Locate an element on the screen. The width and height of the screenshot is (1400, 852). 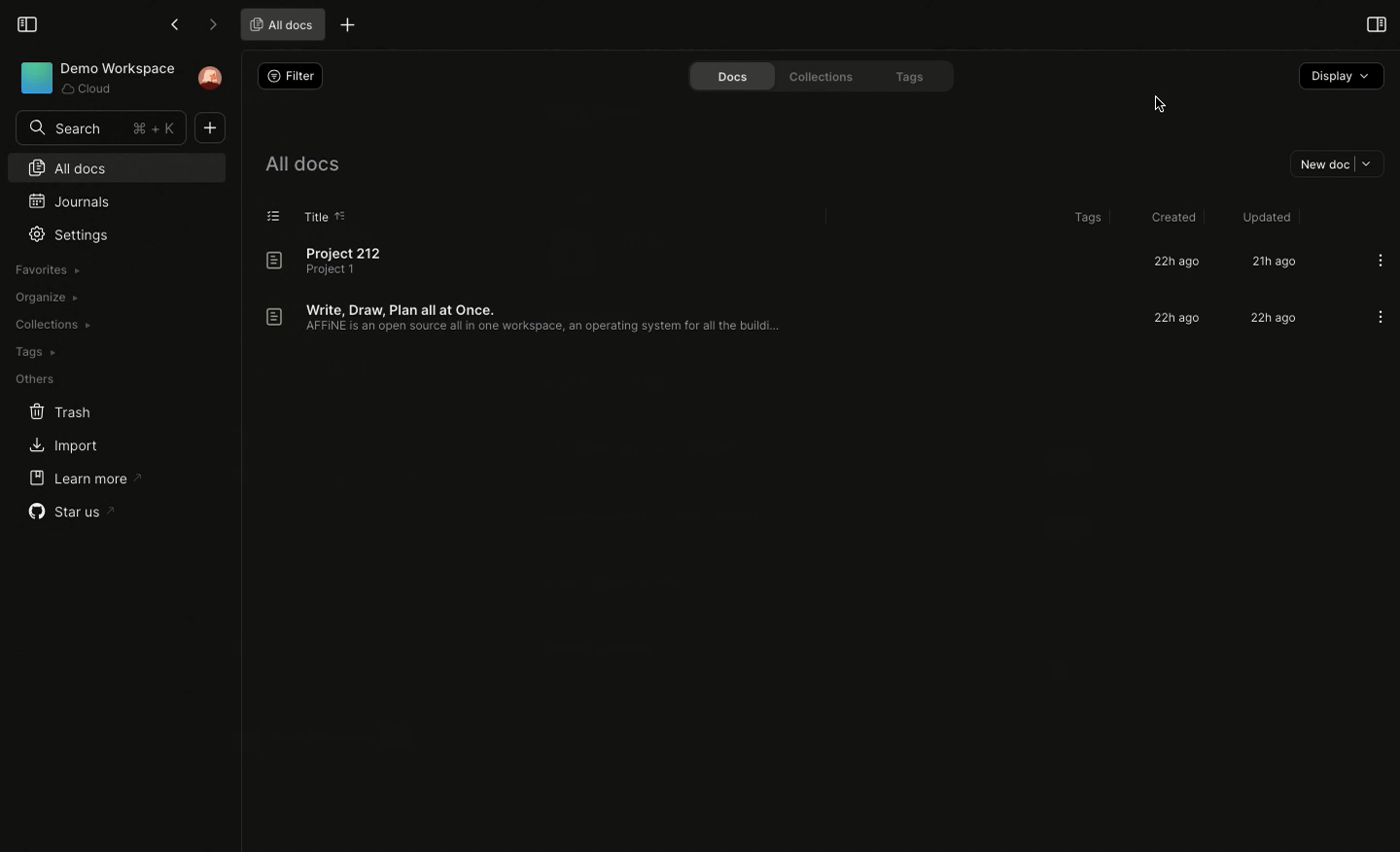
Options is located at coordinates (1380, 318).